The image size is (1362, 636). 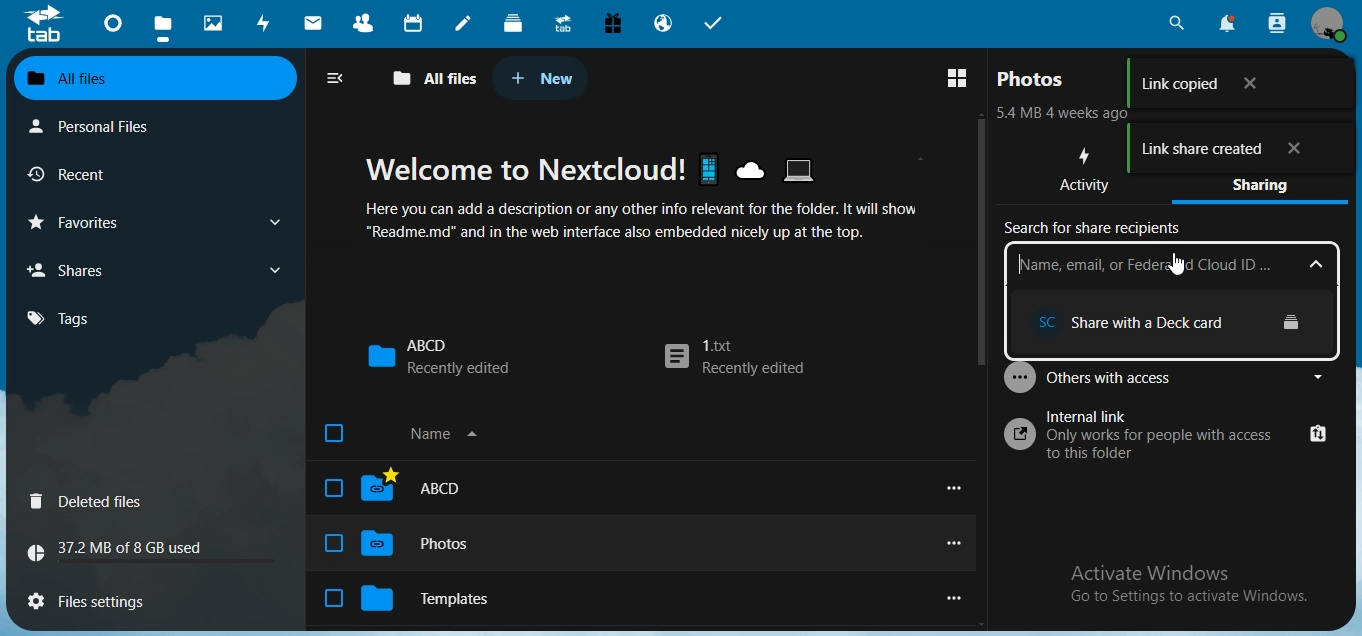 What do you see at coordinates (951, 543) in the screenshot?
I see `more options` at bounding box center [951, 543].